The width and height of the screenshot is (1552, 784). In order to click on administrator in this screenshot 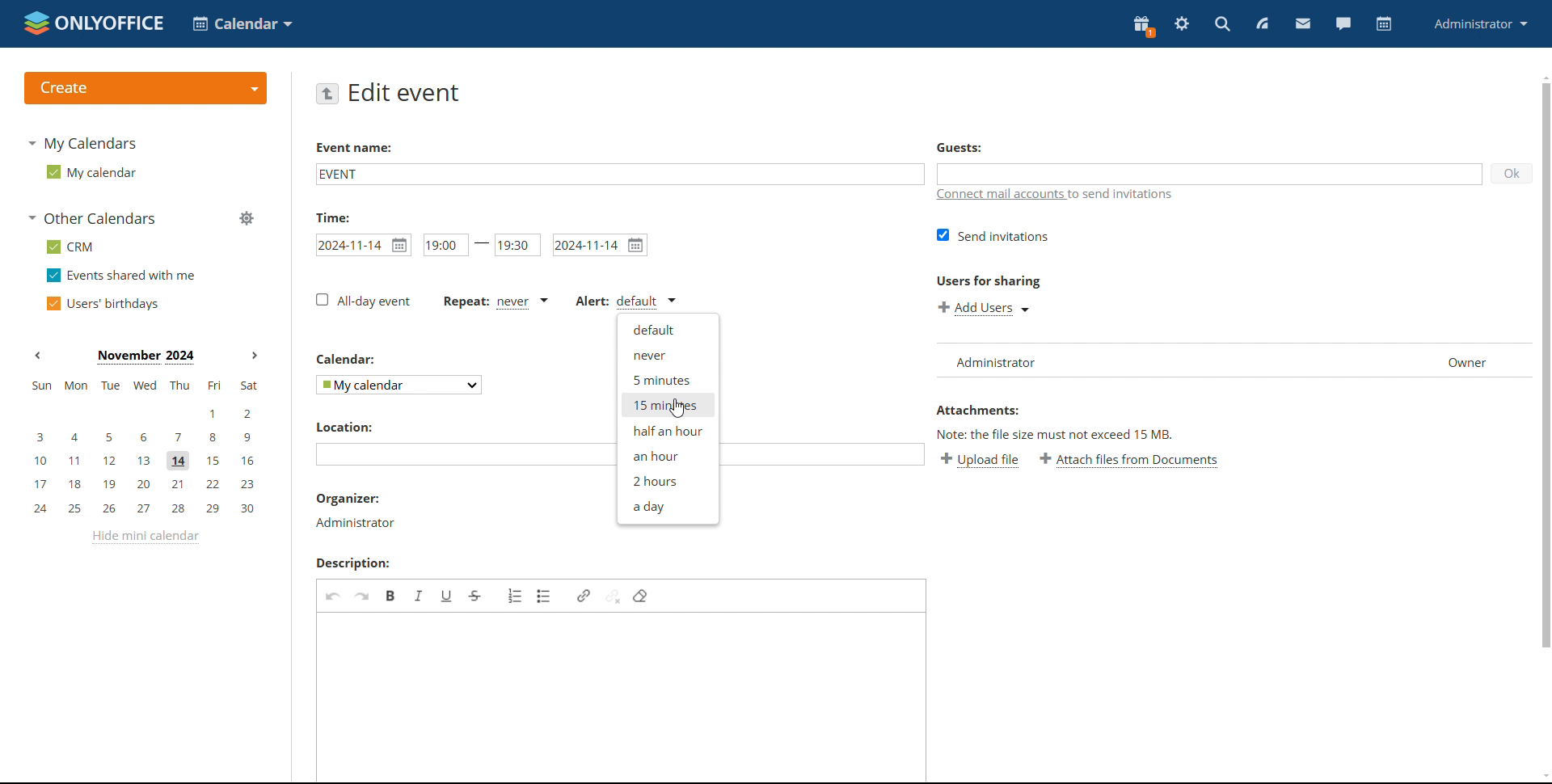, I will do `click(354, 522)`.